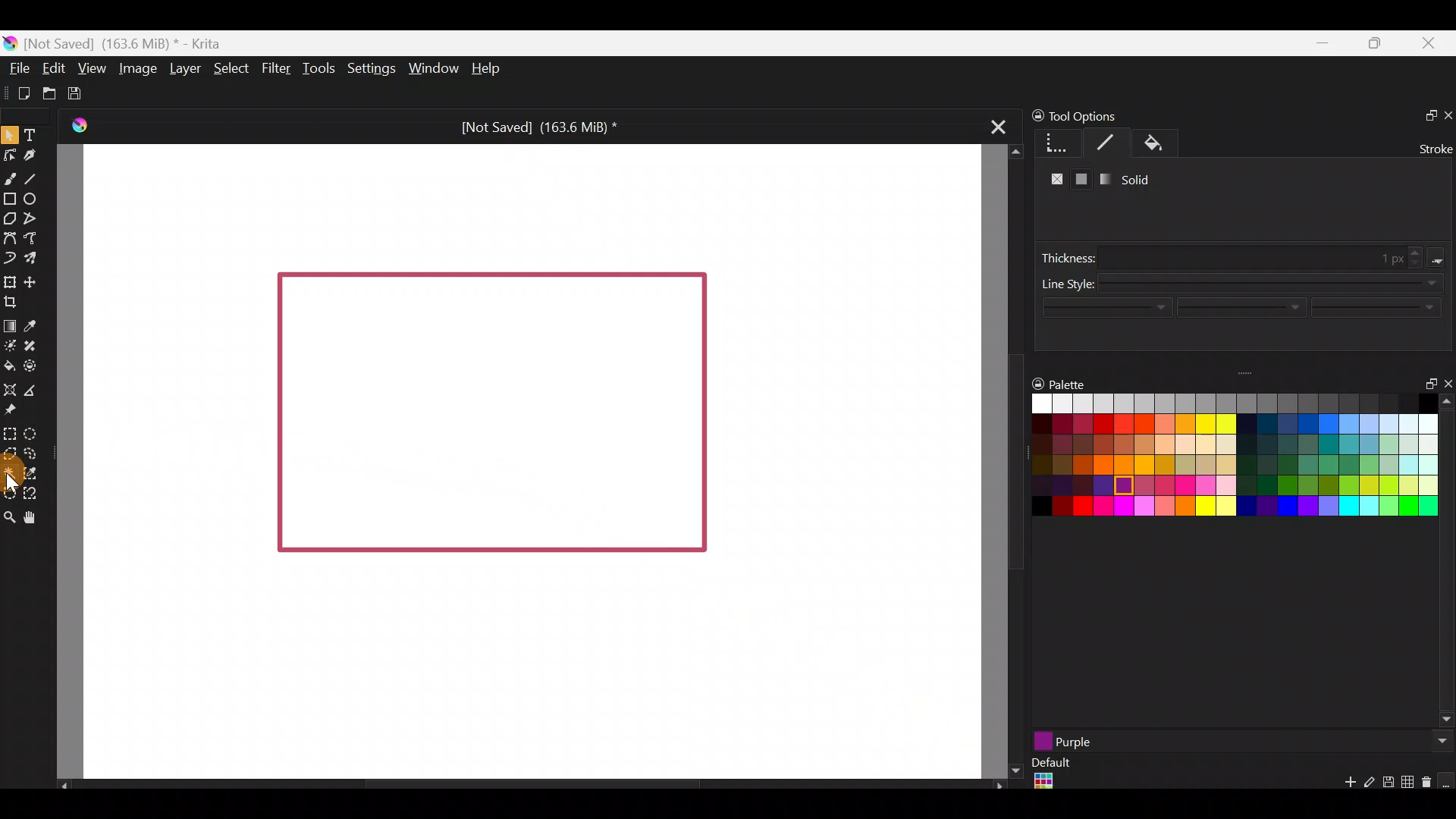 The width and height of the screenshot is (1456, 819). What do you see at coordinates (1160, 142) in the screenshot?
I see `Fill` at bounding box center [1160, 142].